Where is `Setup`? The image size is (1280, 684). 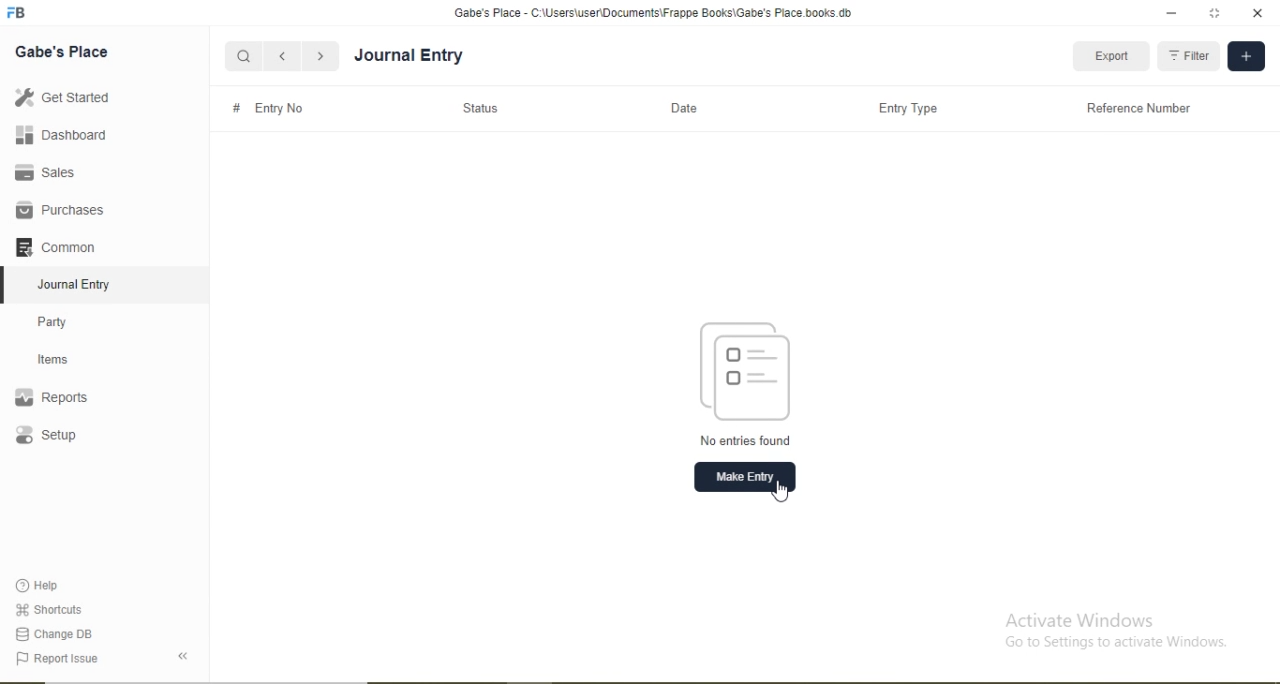
Setup is located at coordinates (75, 437).